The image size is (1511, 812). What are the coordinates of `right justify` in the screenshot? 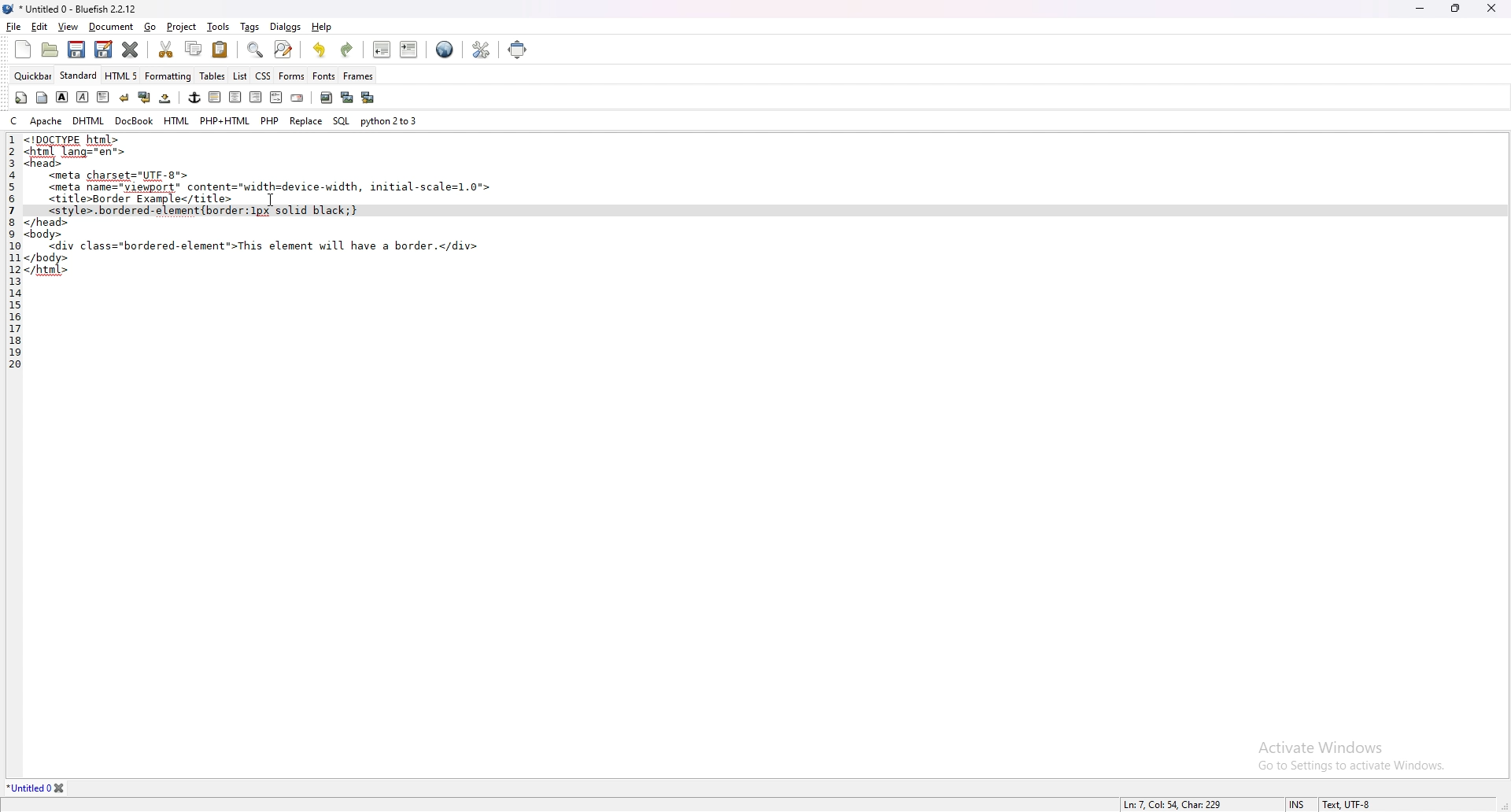 It's located at (256, 96).